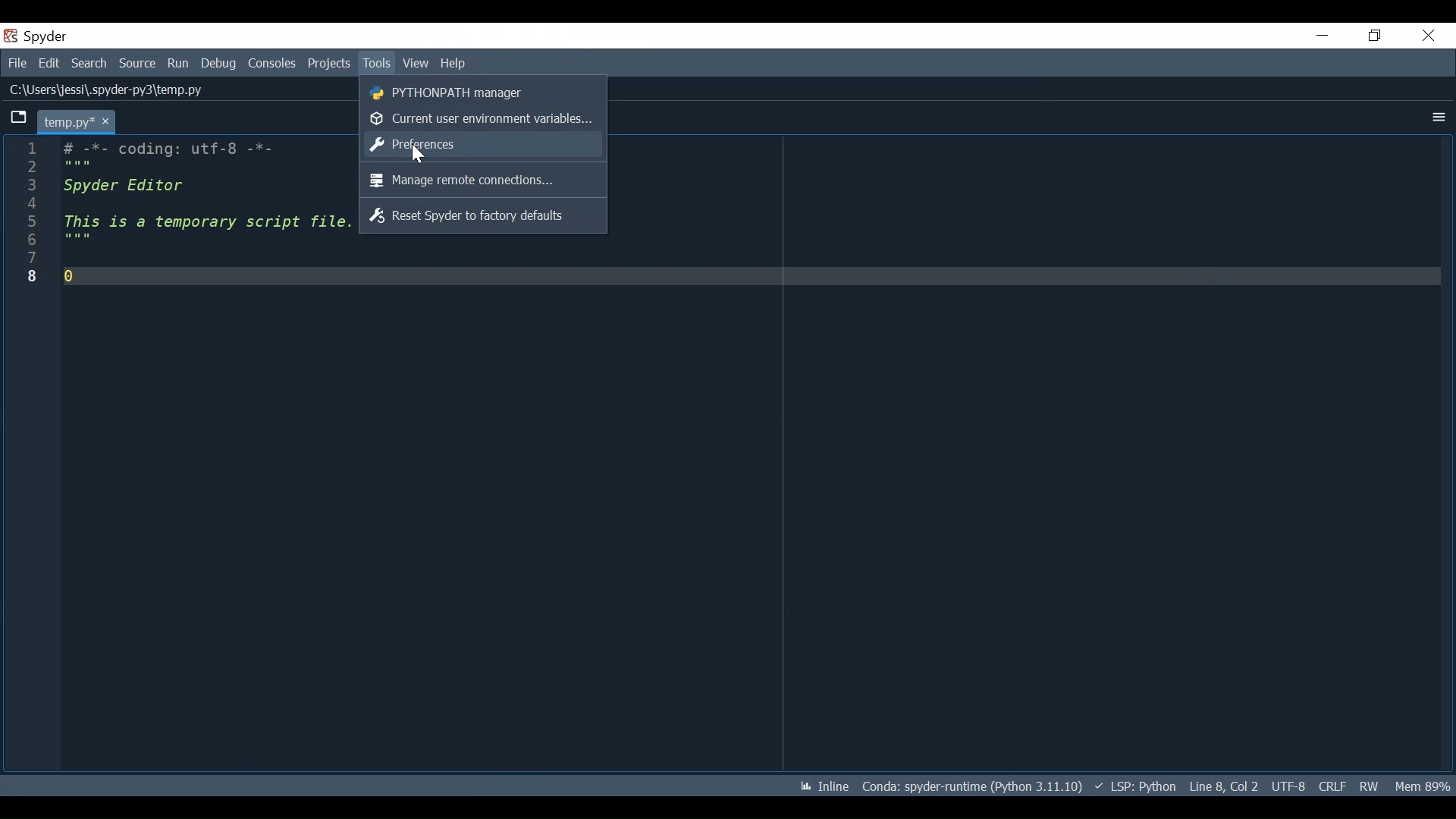 The width and height of the screenshot is (1456, 819). What do you see at coordinates (1222, 786) in the screenshot?
I see `Cursor Position` at bounding box center [1222, 786].